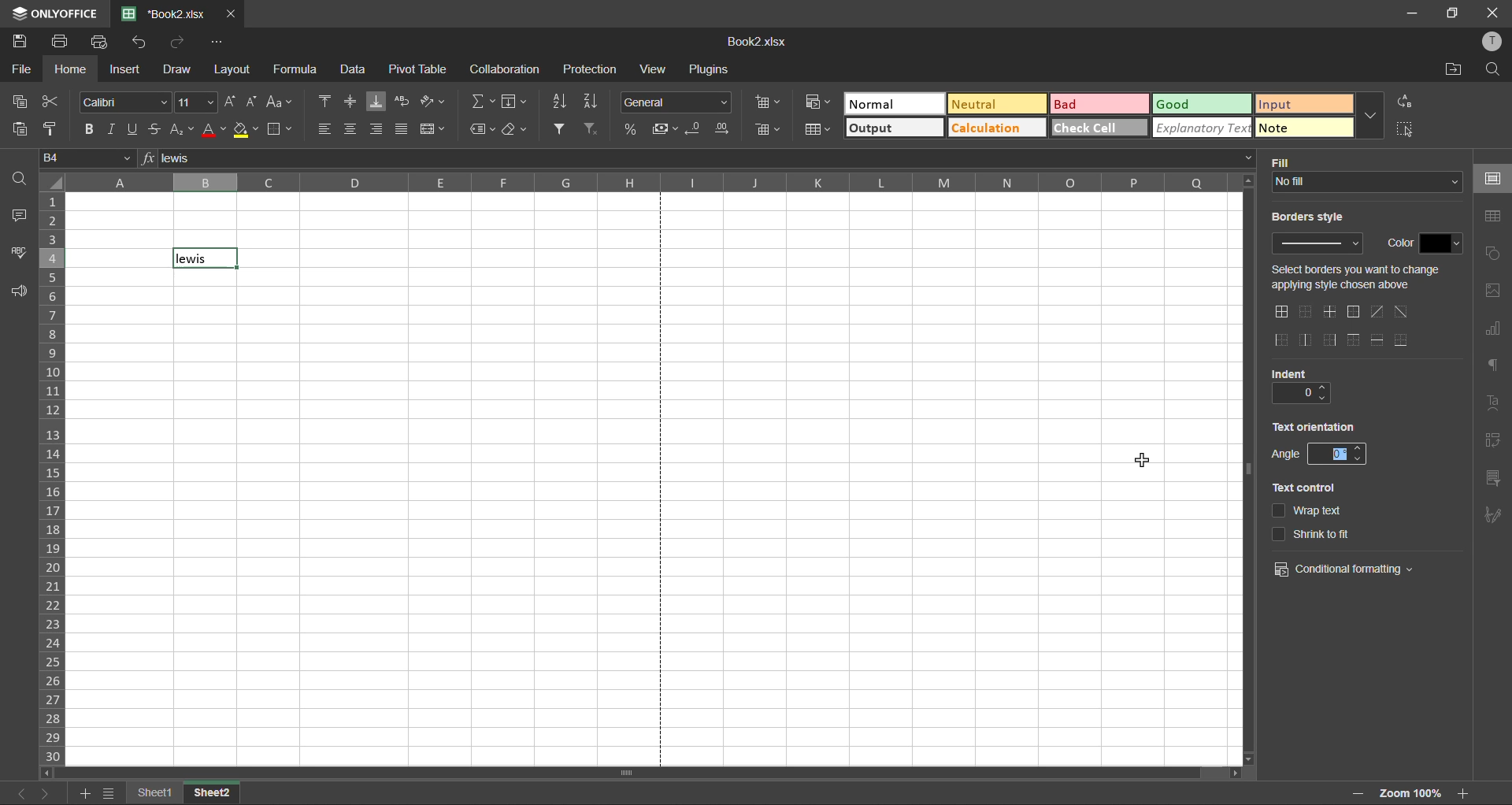  Describe the element at coordinates (1249, 181) in the screenshot. I see `move up` at that location.